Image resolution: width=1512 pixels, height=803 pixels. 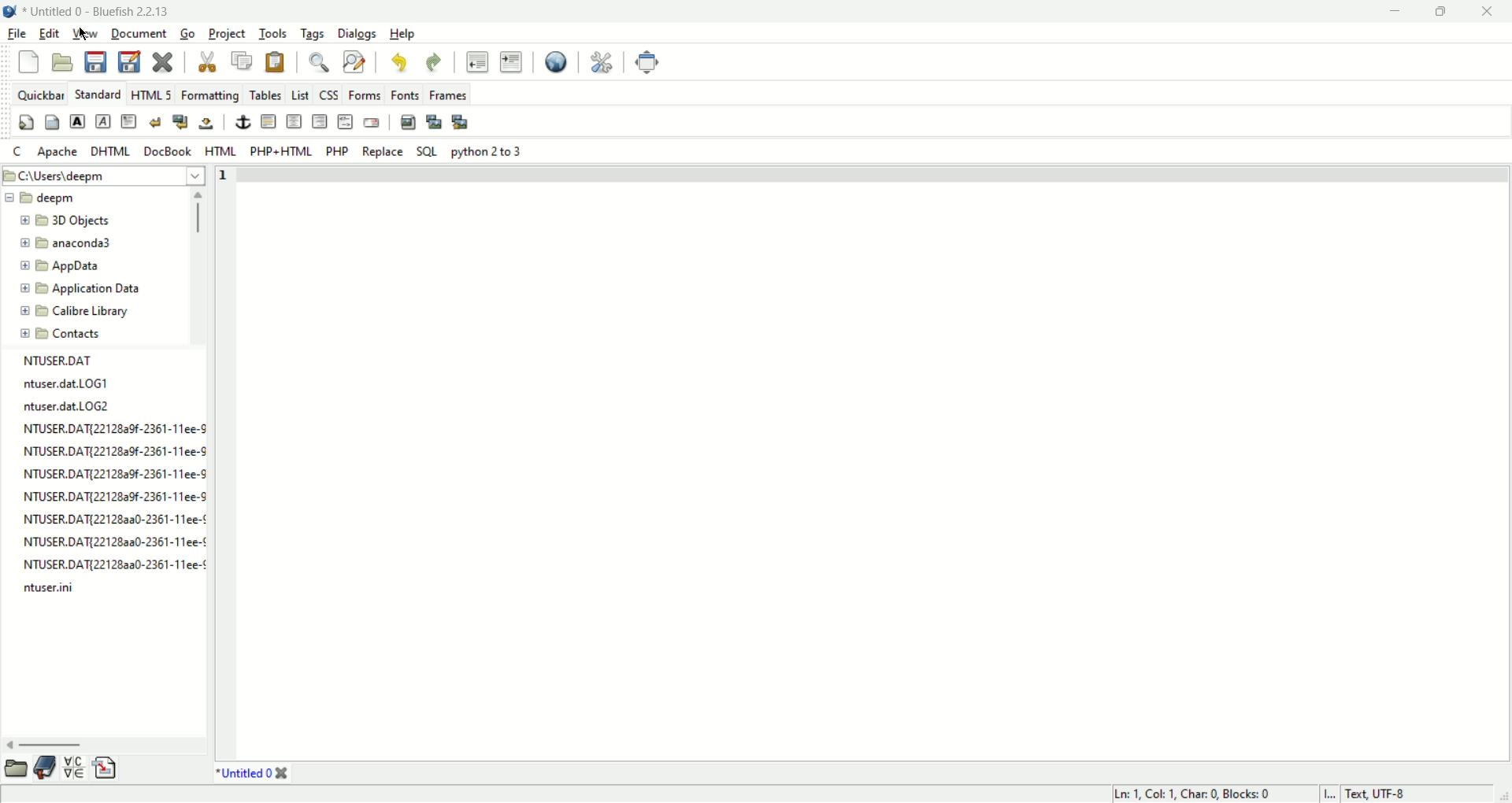 I want to click on ntuser.ini, so click(x=50, y=587).